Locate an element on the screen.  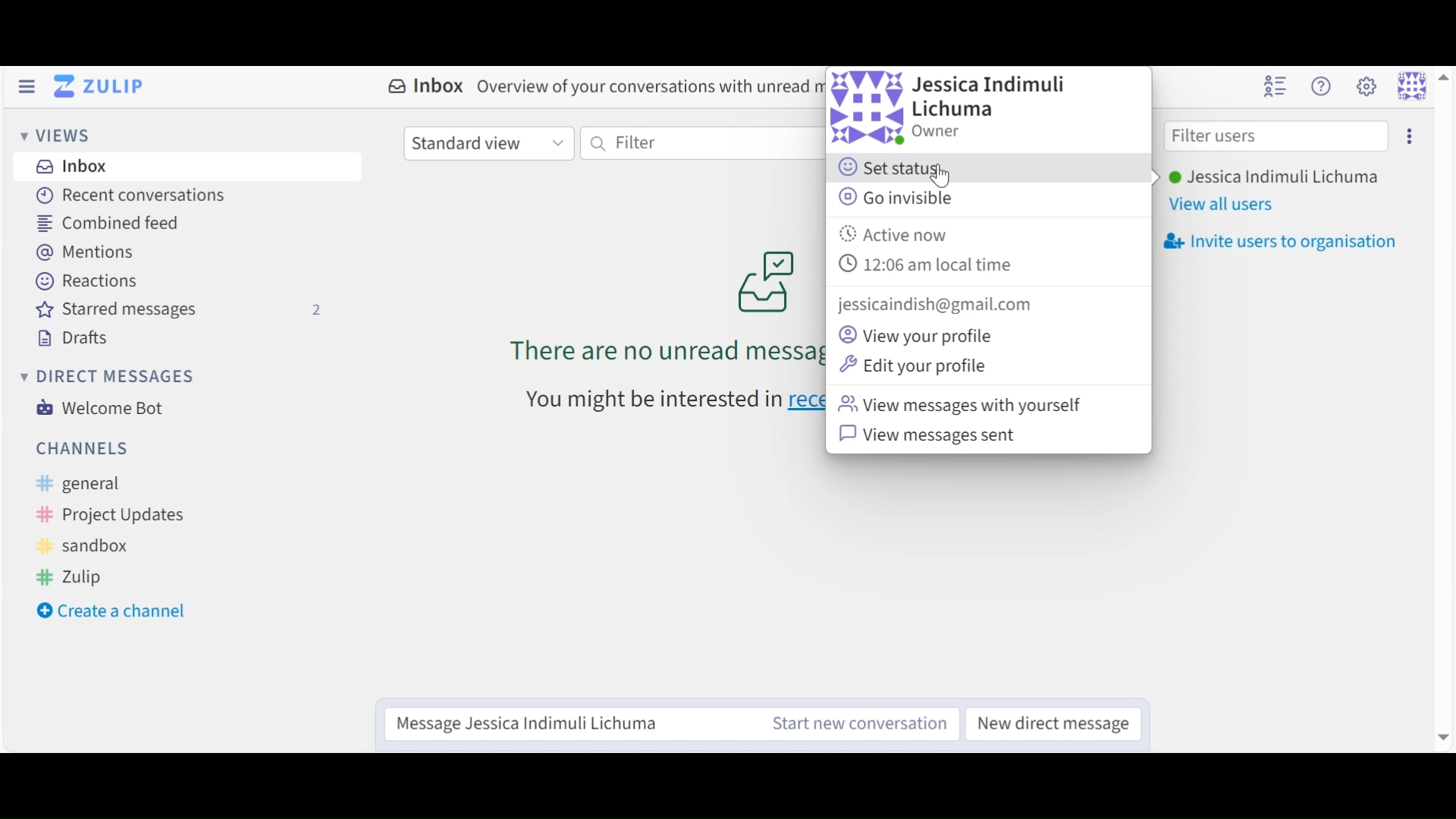
Create a new Channel is located at coordinates (118, 613).